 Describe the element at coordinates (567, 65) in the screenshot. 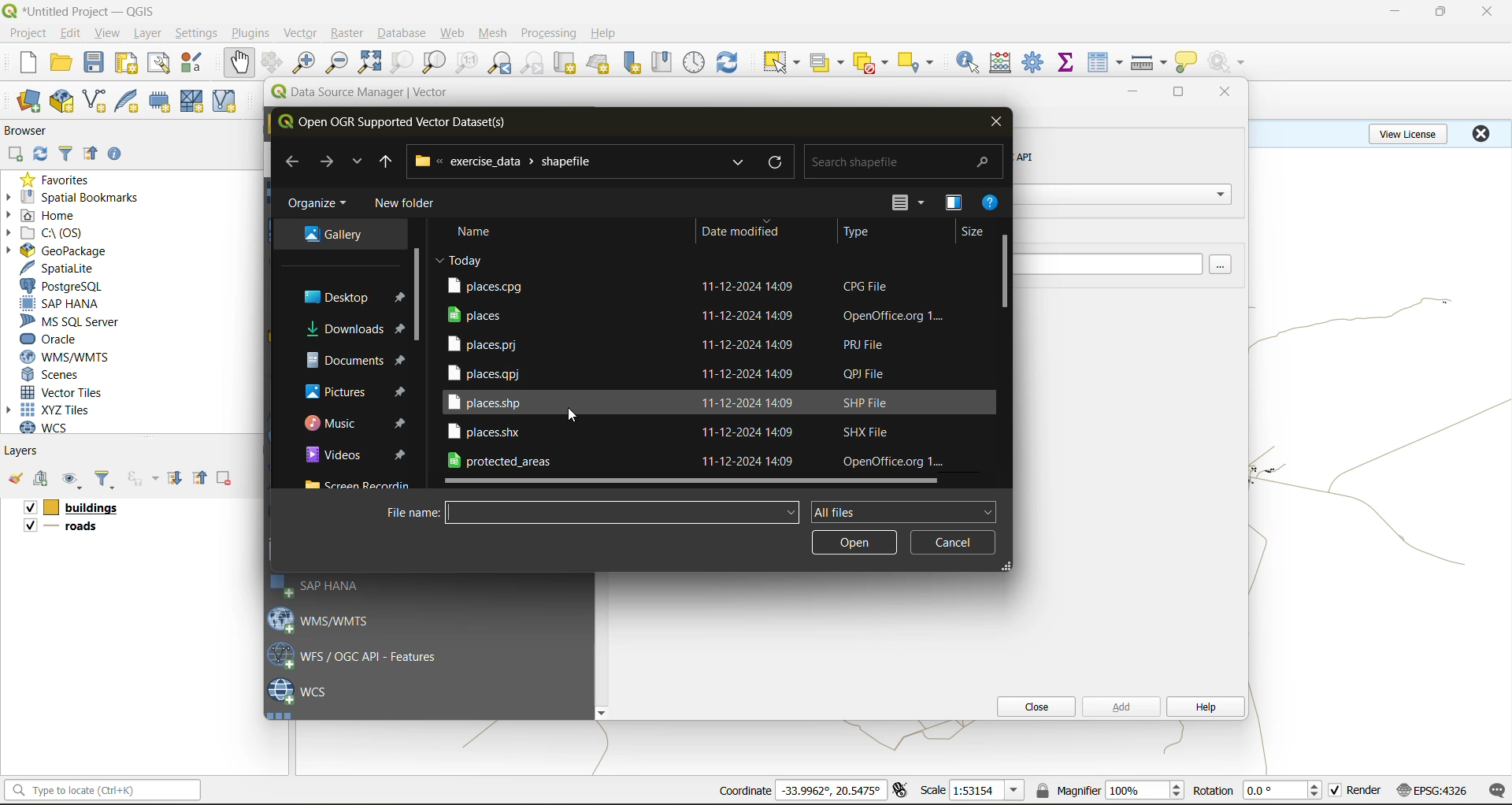

I see `new map view` at that location.